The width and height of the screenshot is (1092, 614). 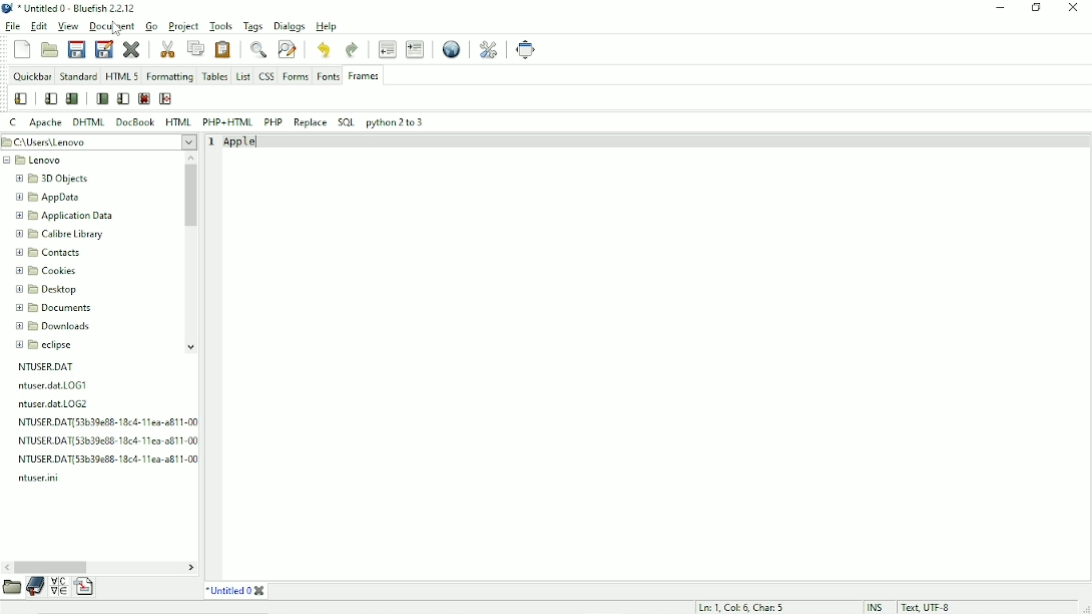 I want to click on Restore down, so click(x=1036, y=9).